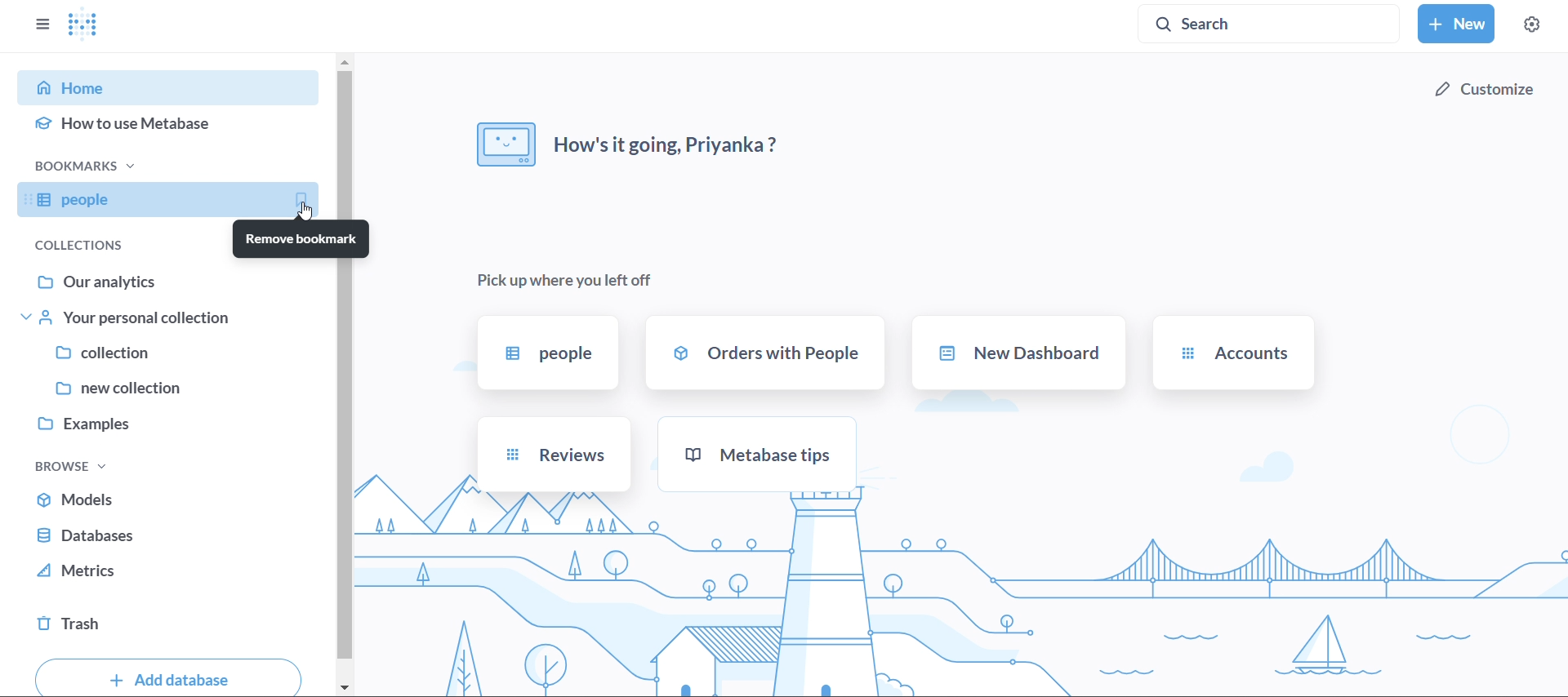 The height and width of the screenshot is (697, 1568). Describe the element at coordinates (167, 85) in the screenshot. I see `home` at that location.